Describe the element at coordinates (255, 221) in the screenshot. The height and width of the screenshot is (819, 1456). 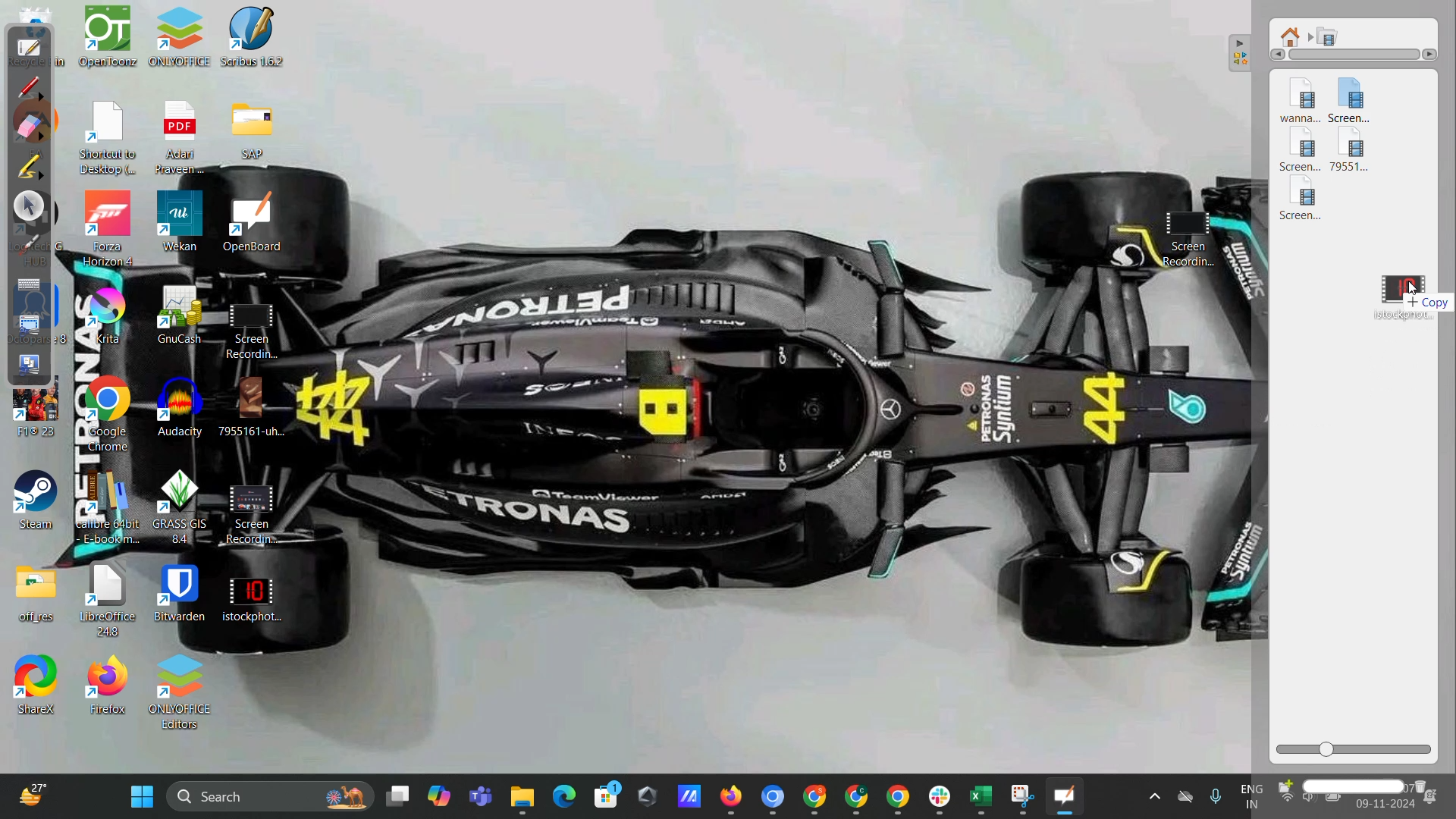
I see `OpenBoard` at that location.